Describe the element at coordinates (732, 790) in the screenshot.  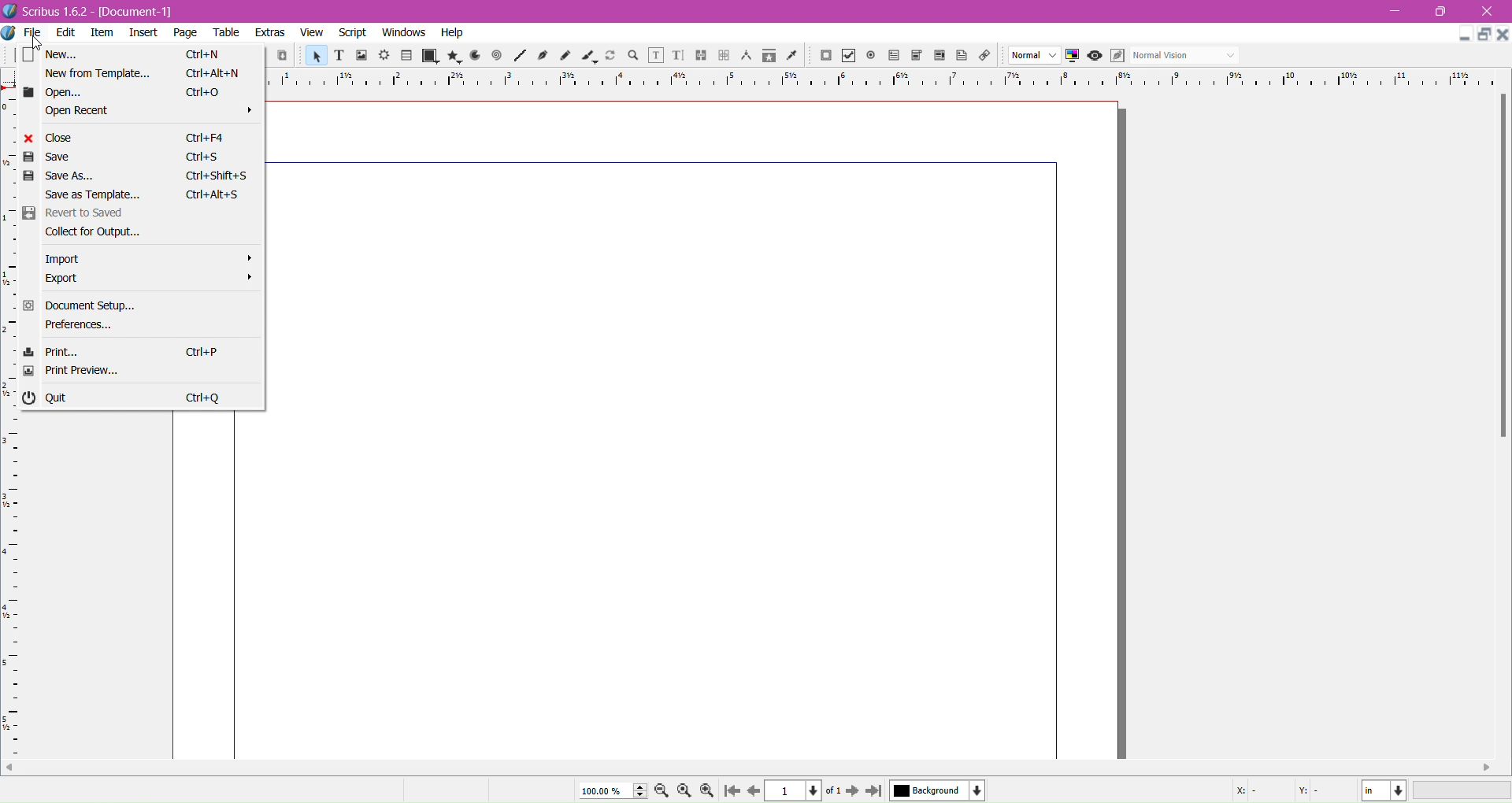
I see `Go to first page` at that location.